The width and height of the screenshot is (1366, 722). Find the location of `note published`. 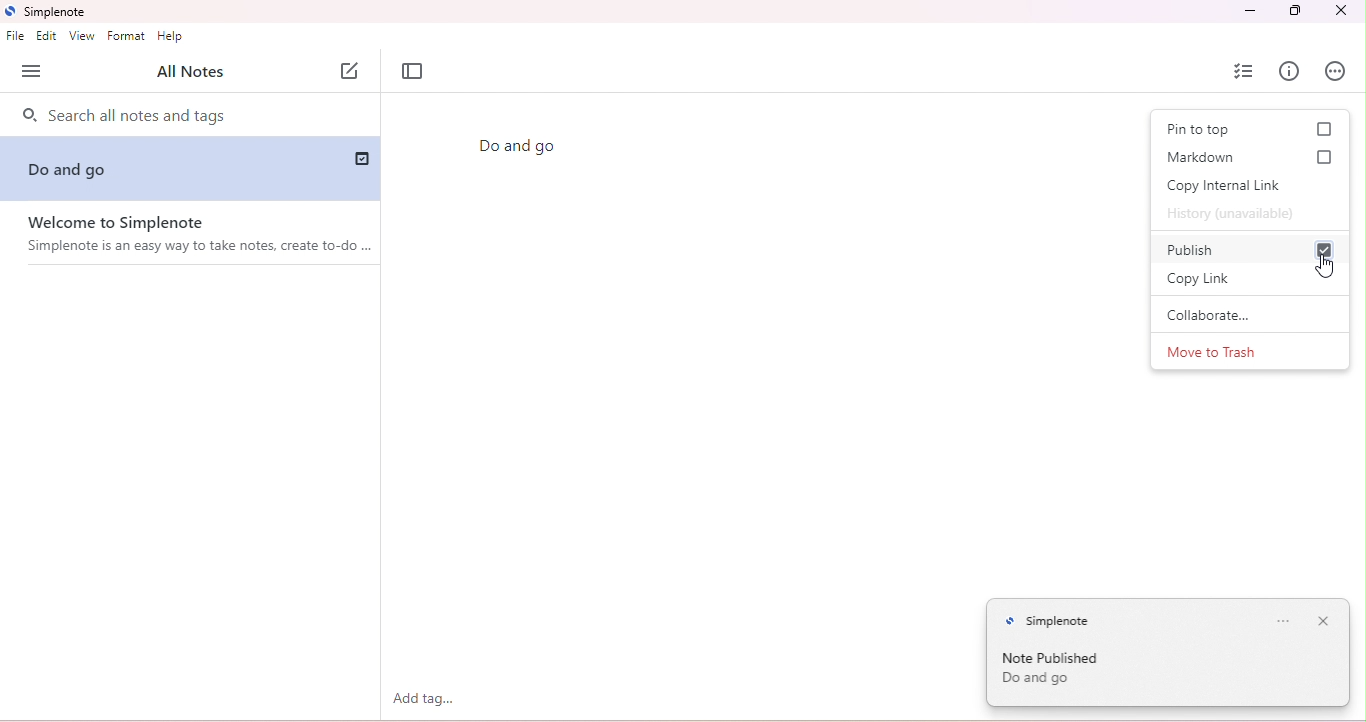

note published is located at coordinates (1066, 671).